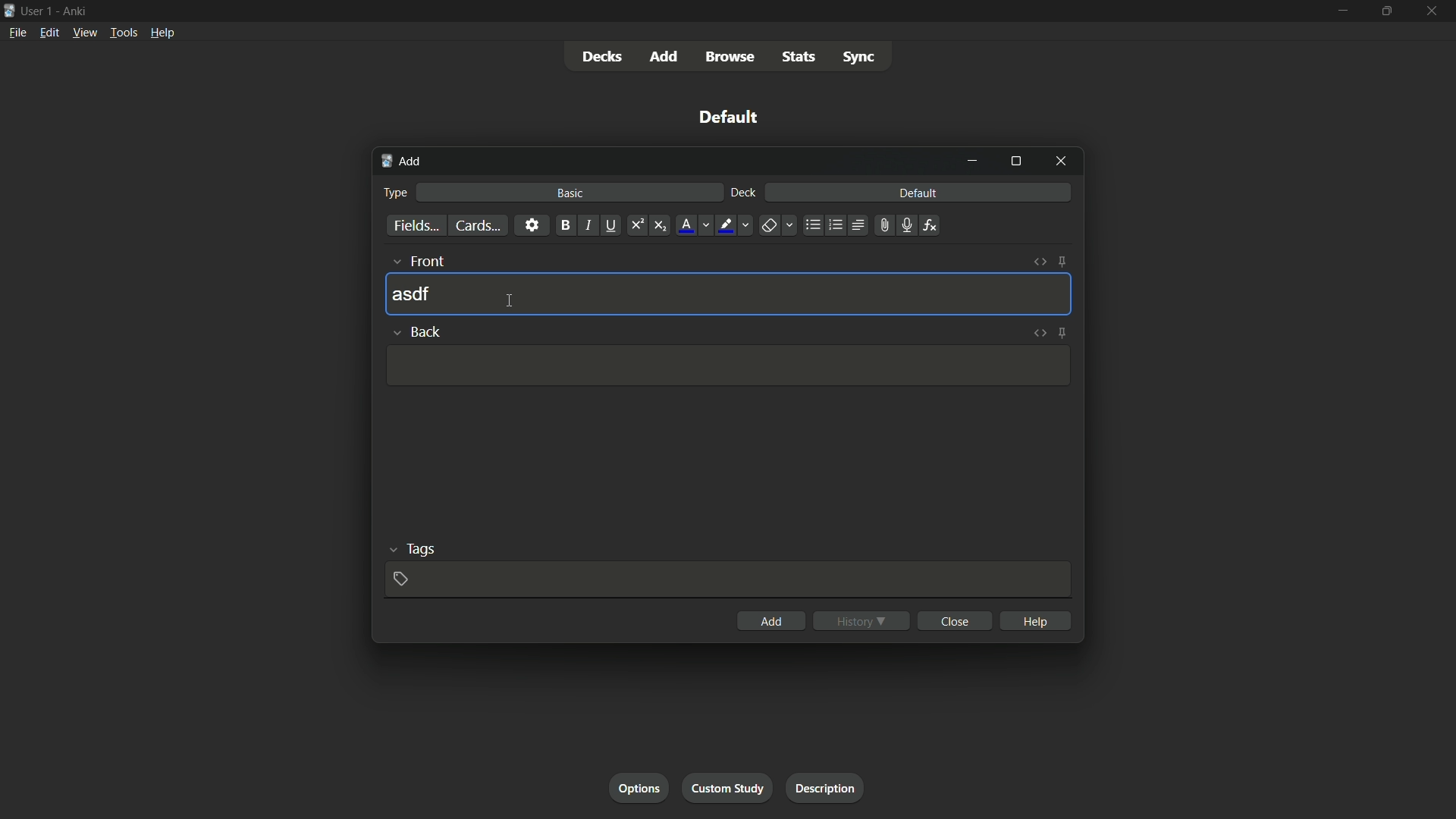 The image size is (1456, 819). I want to click on cards, so click(477, 225).